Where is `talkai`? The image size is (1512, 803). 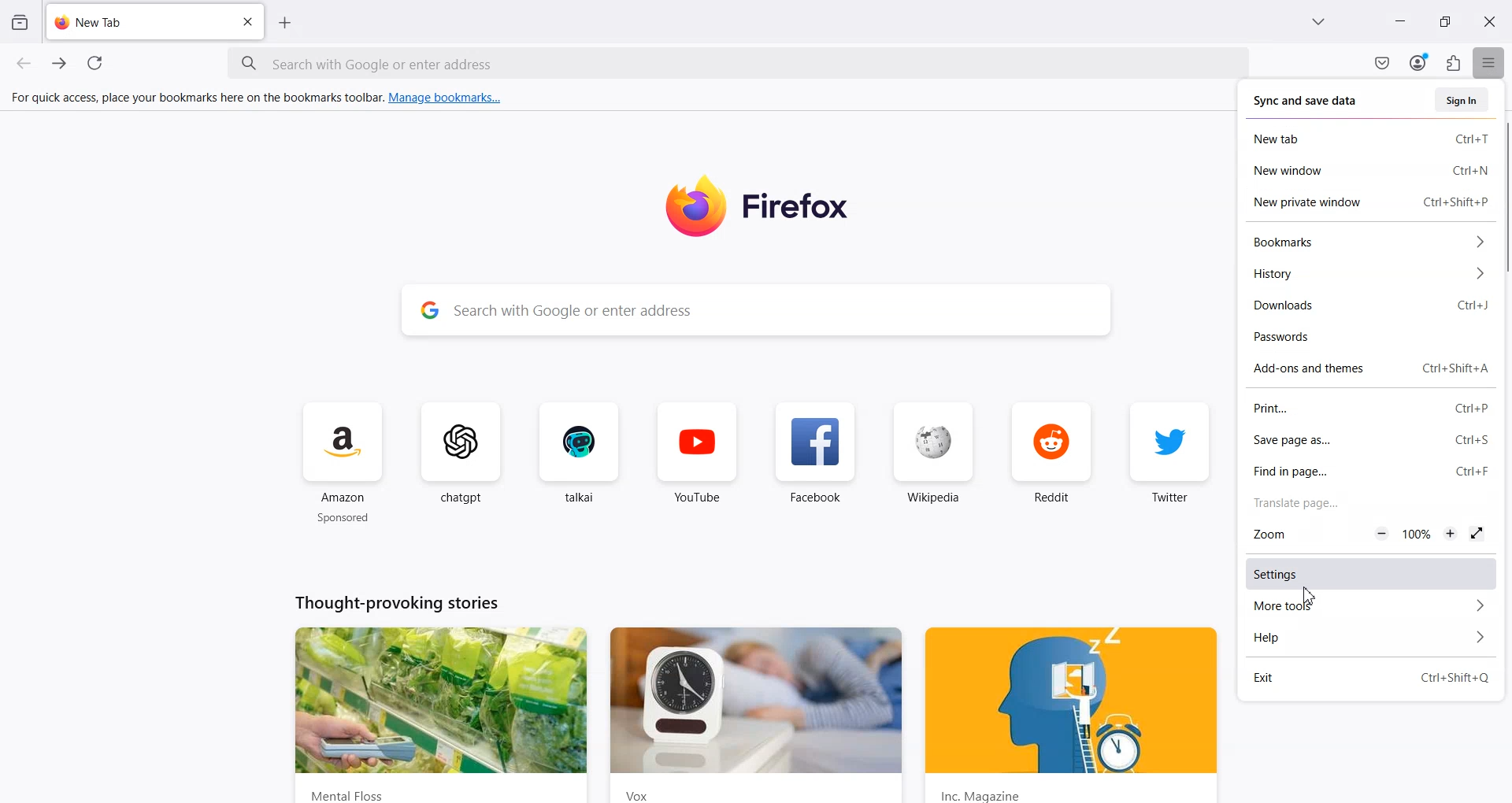
talkai is located at coordinates (579, 463).